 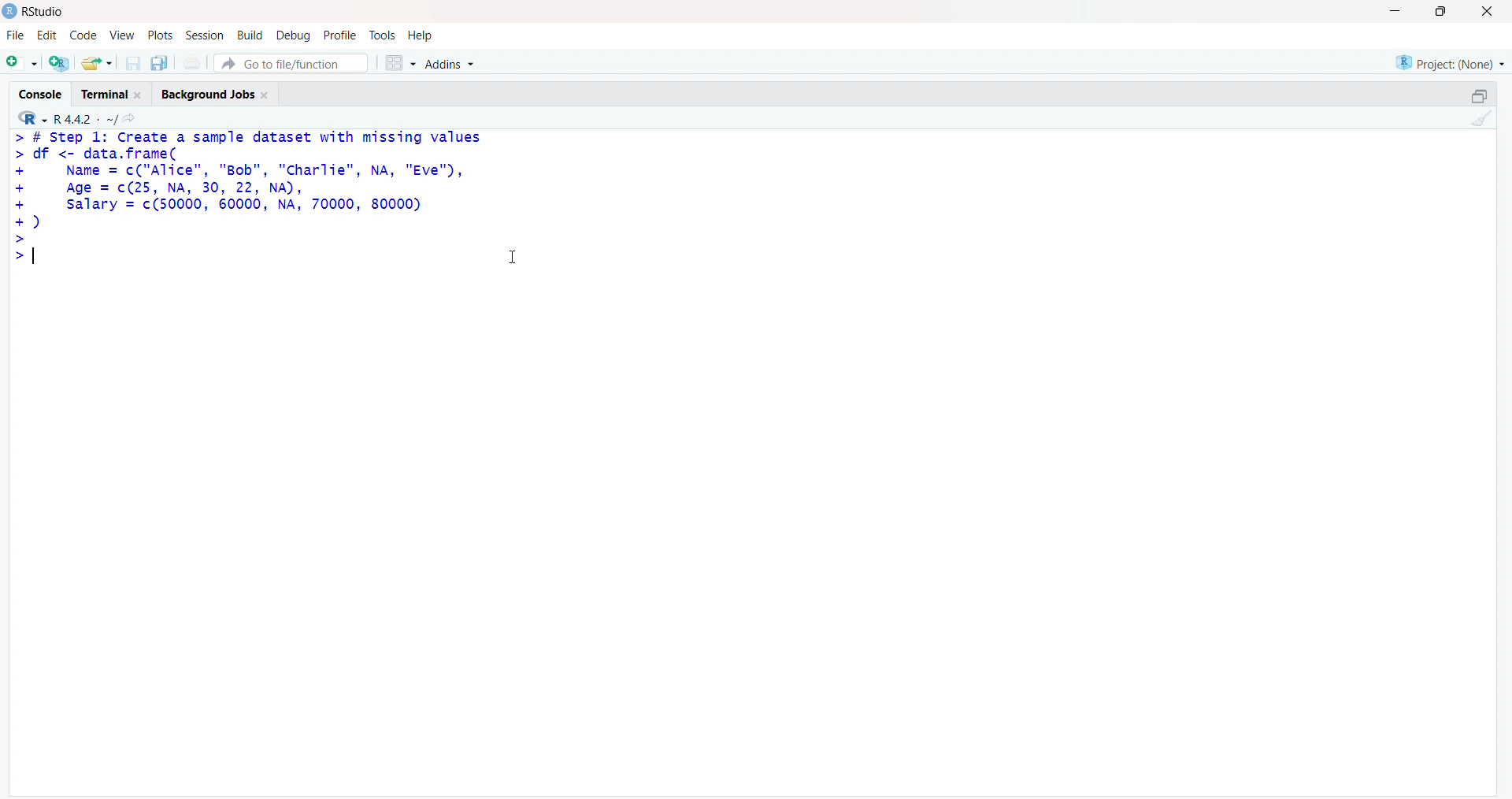 What do you see at coordinates (517, 252) in the screenshot?
I see `Text cursor` at bounding box center [517, 252].